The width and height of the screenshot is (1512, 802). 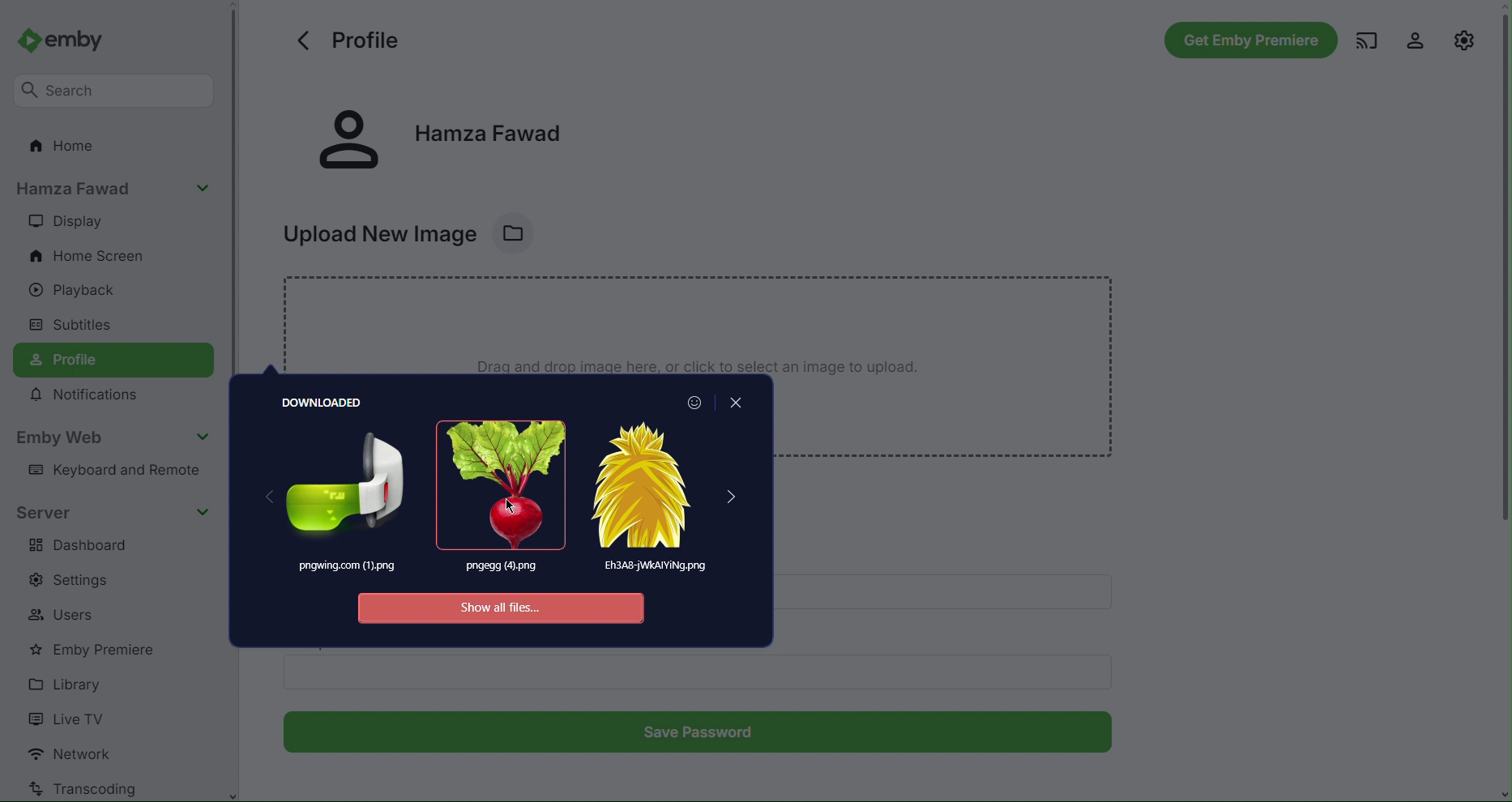 I want to click on Display, so click(x=66, y=222).